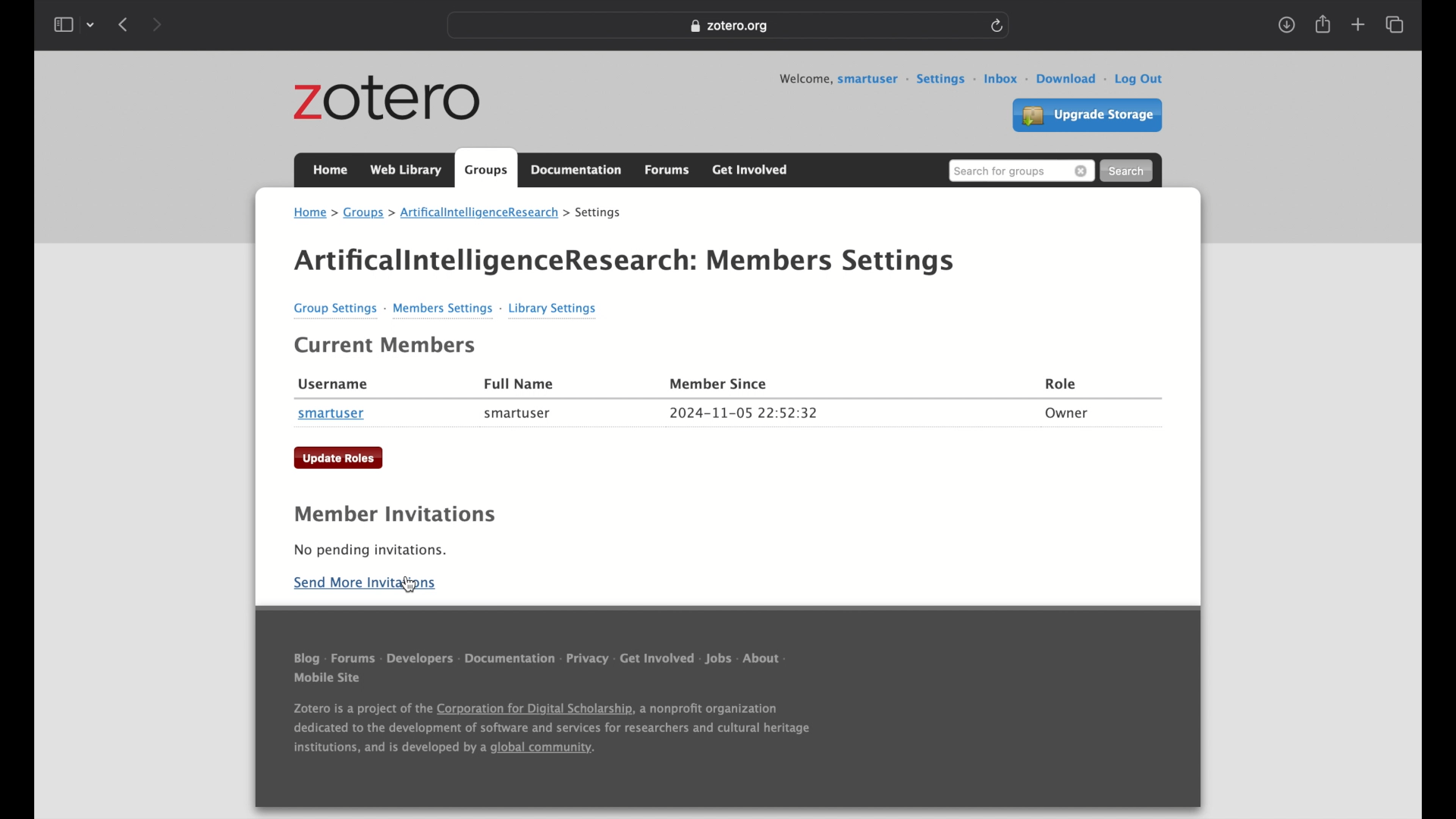 The height and width of the screenshot is (819, 1456). What do you see at coordinates (1287, 26) in the screenshot?
I see `download` at bounding box center [1287, 26].